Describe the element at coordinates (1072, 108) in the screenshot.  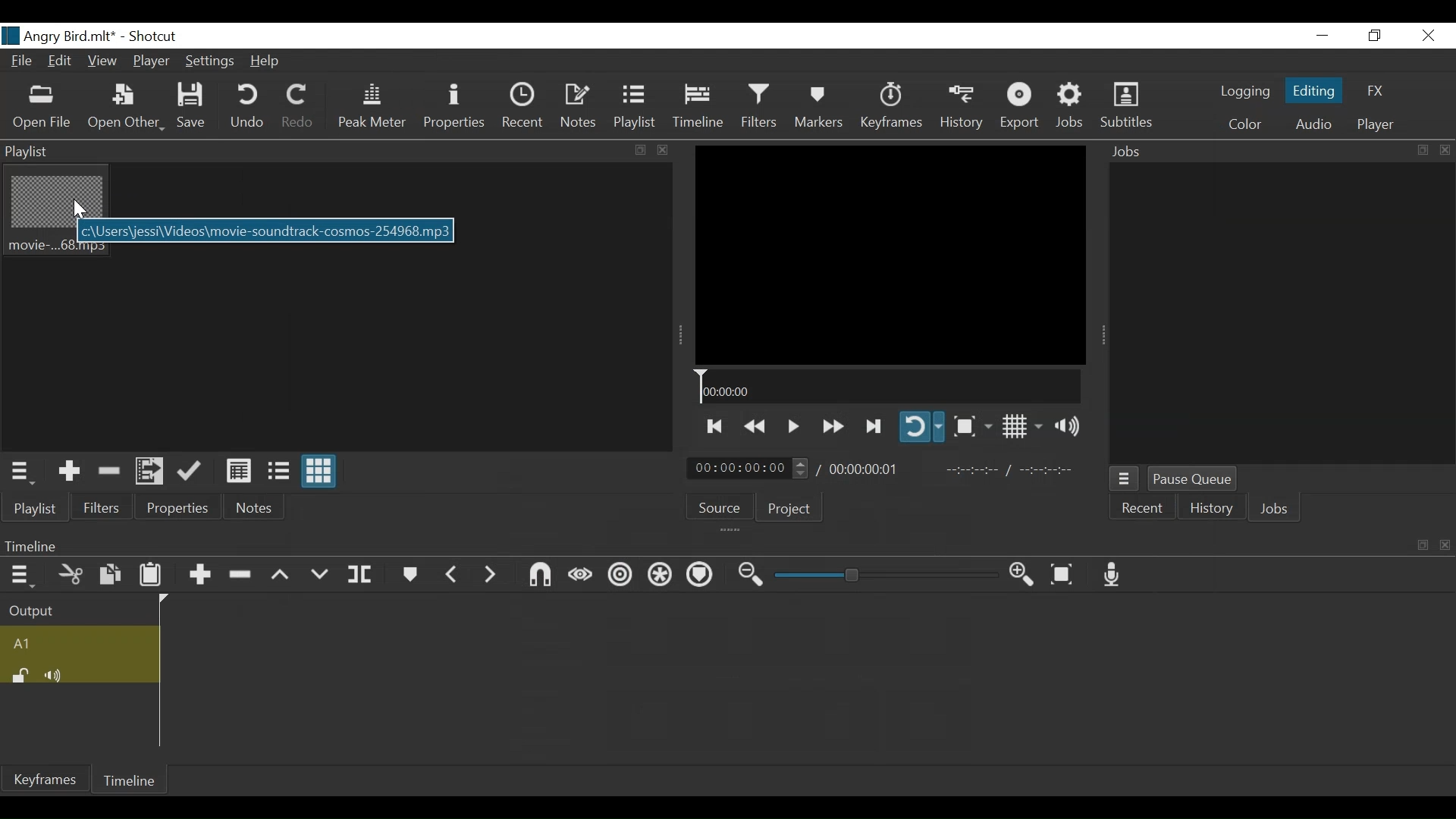
I see `Jobs` at that location.